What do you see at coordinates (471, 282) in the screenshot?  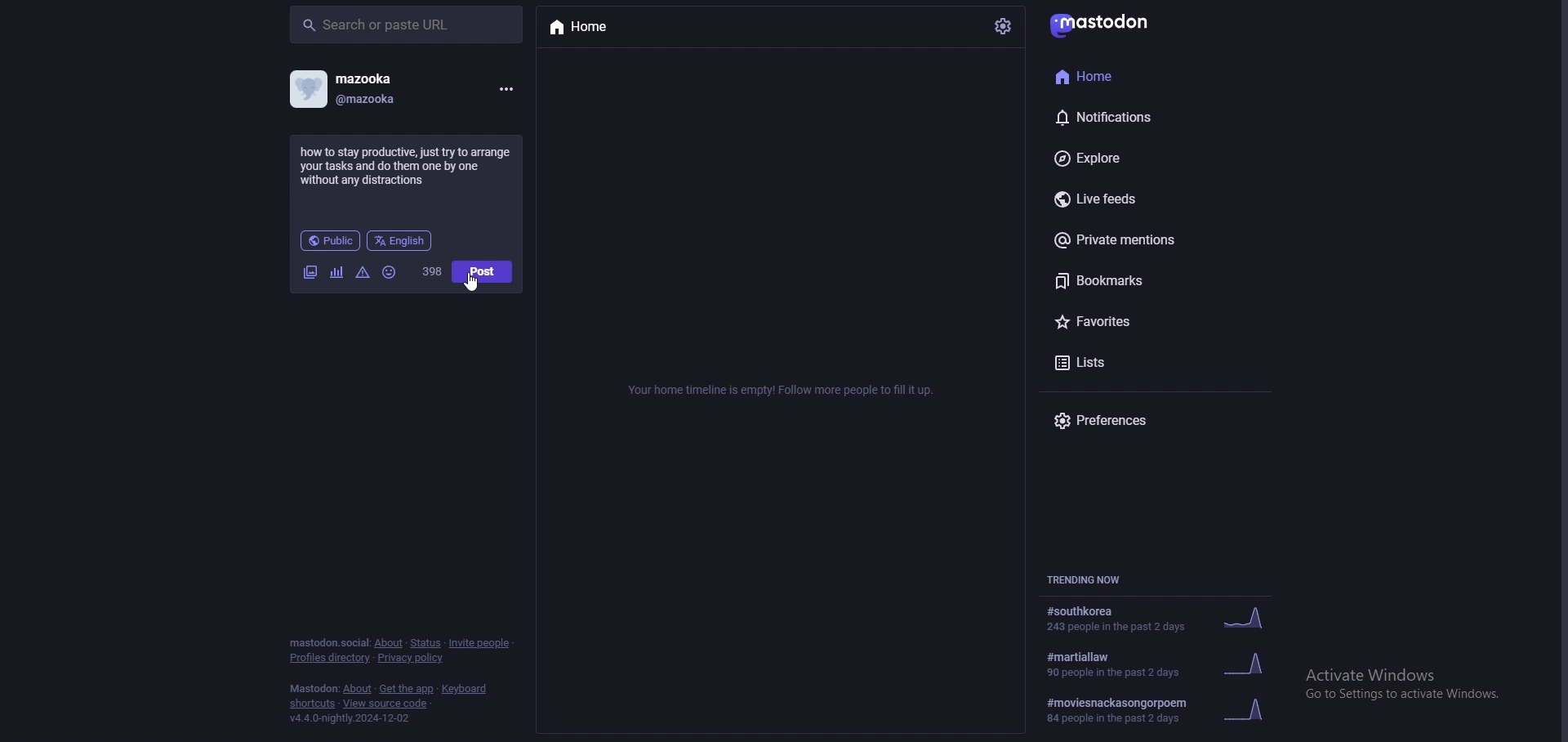 I see `cursor` at bounding box center [471, 282].